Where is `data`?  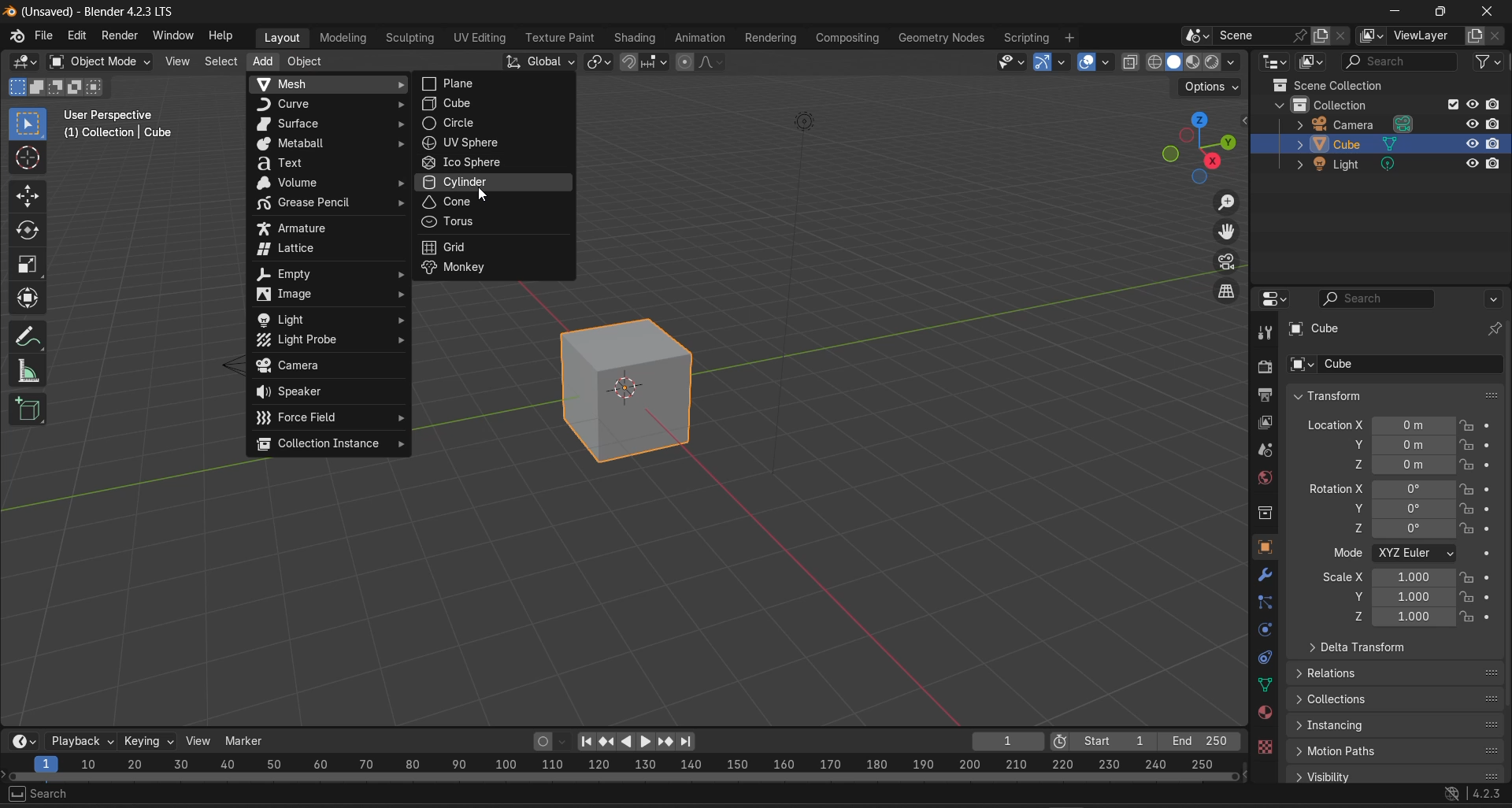 data is located at coordinates (1263, 685).